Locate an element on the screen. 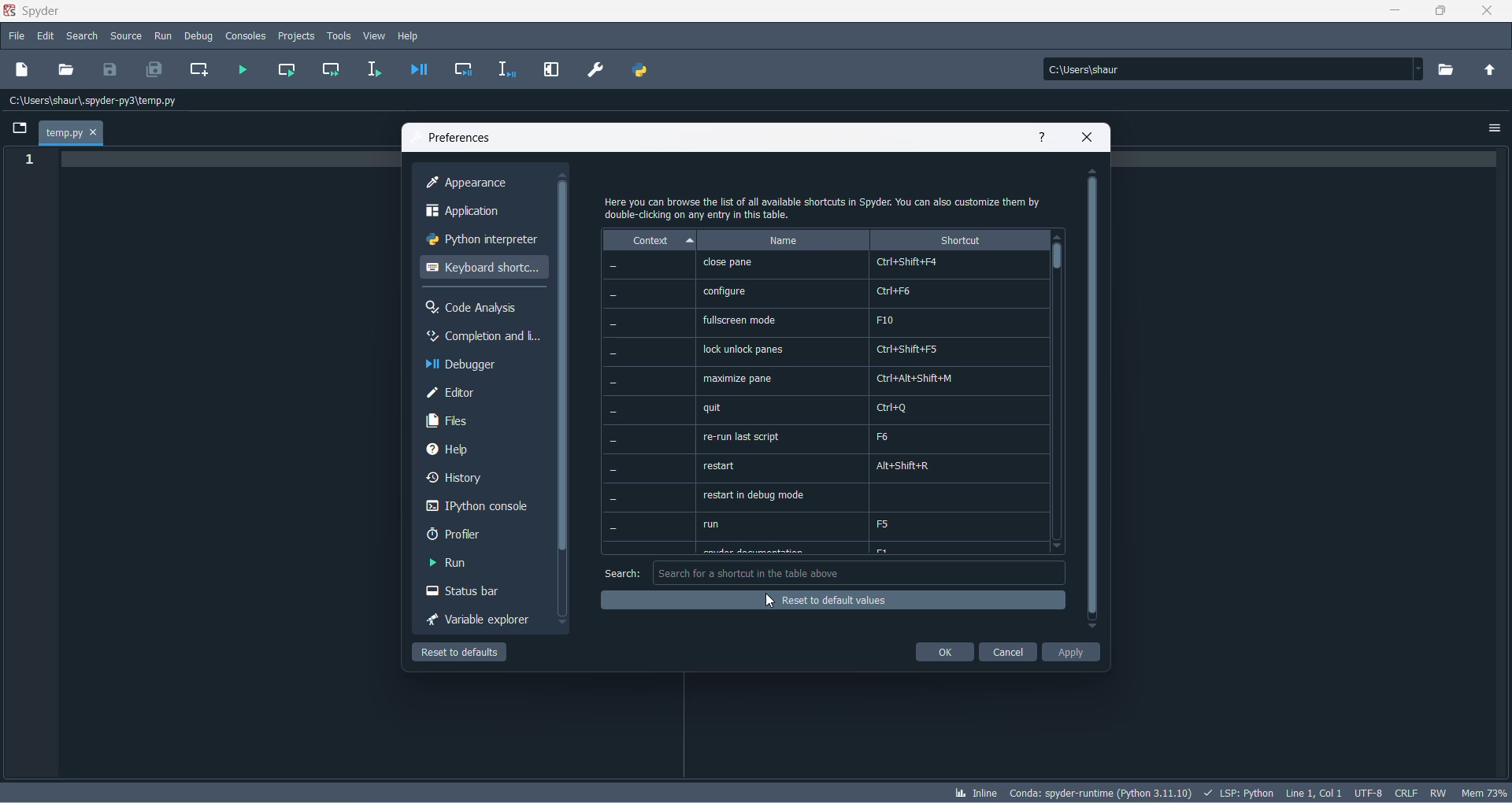 This screenshot has height=803, width=1512. minimize is located at coordinates (1395, 16).